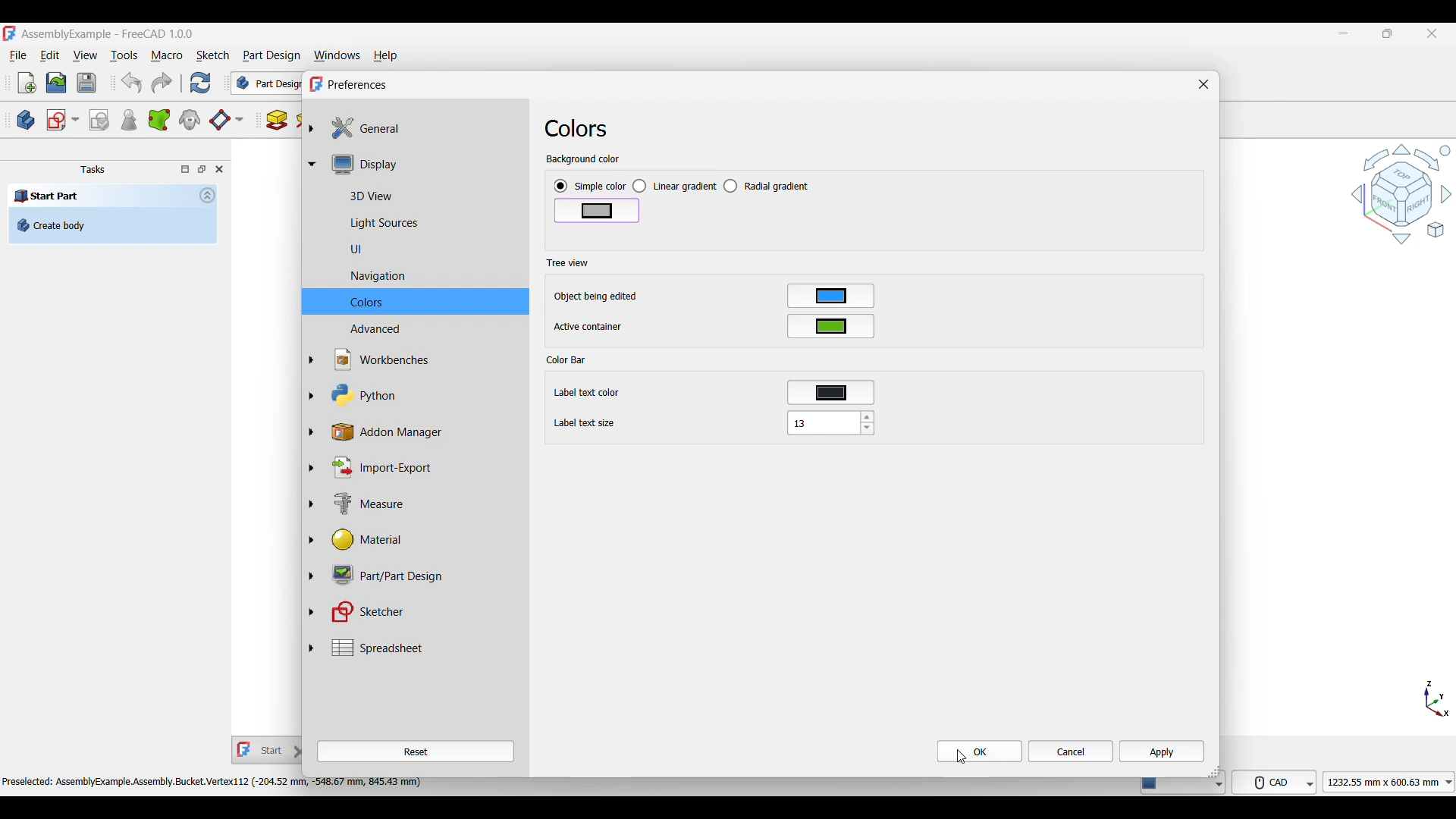 The width and height of the screenshot is (1456, 819). What do you see at coordinates (767, 186) in the screenshot?
I see `Radial gradient toggle` at bounding box center [767, 186].